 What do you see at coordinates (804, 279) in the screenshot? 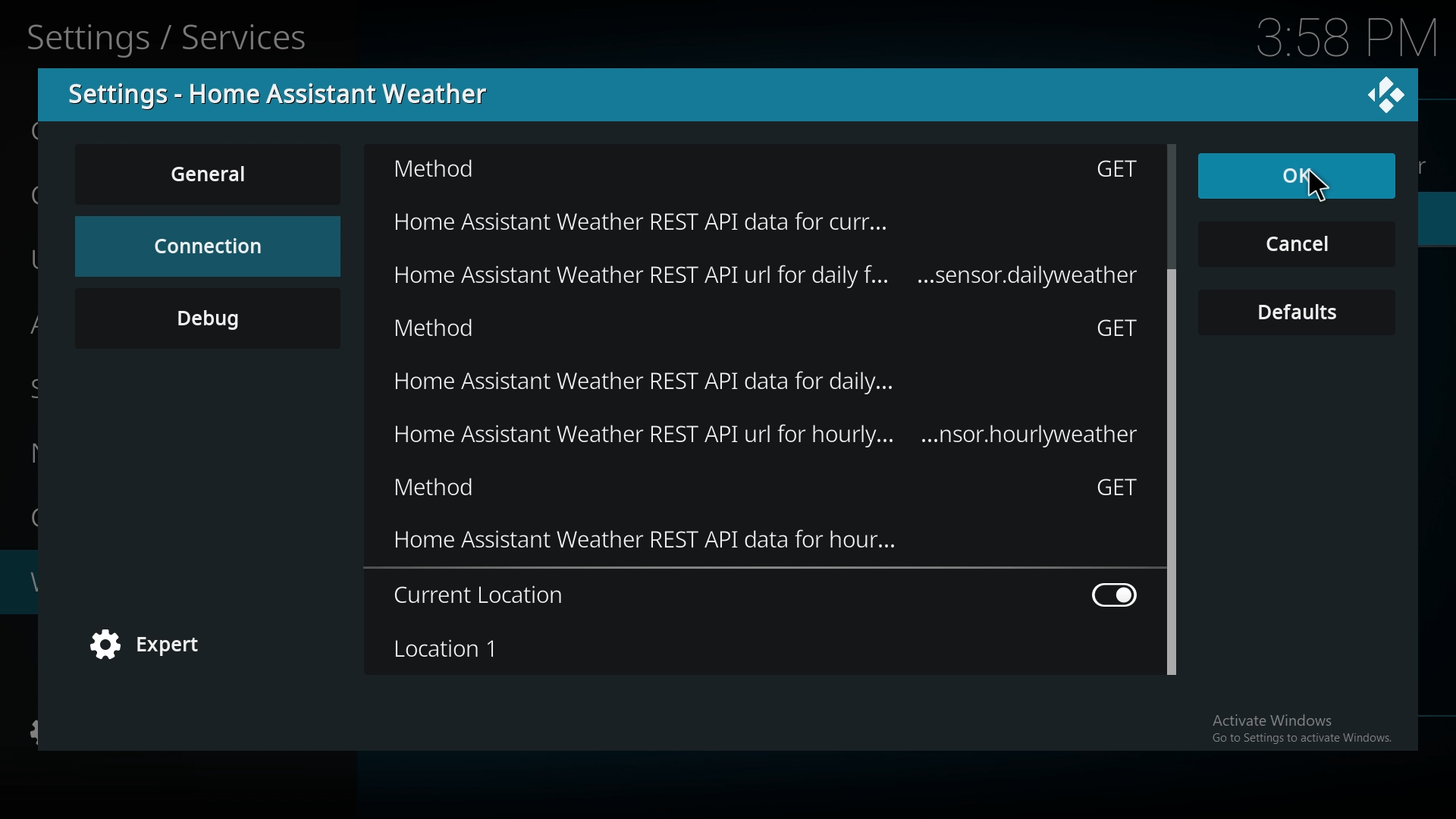
I see `Home assistant weather rest API data for daily` at bounding box center [804, 279].